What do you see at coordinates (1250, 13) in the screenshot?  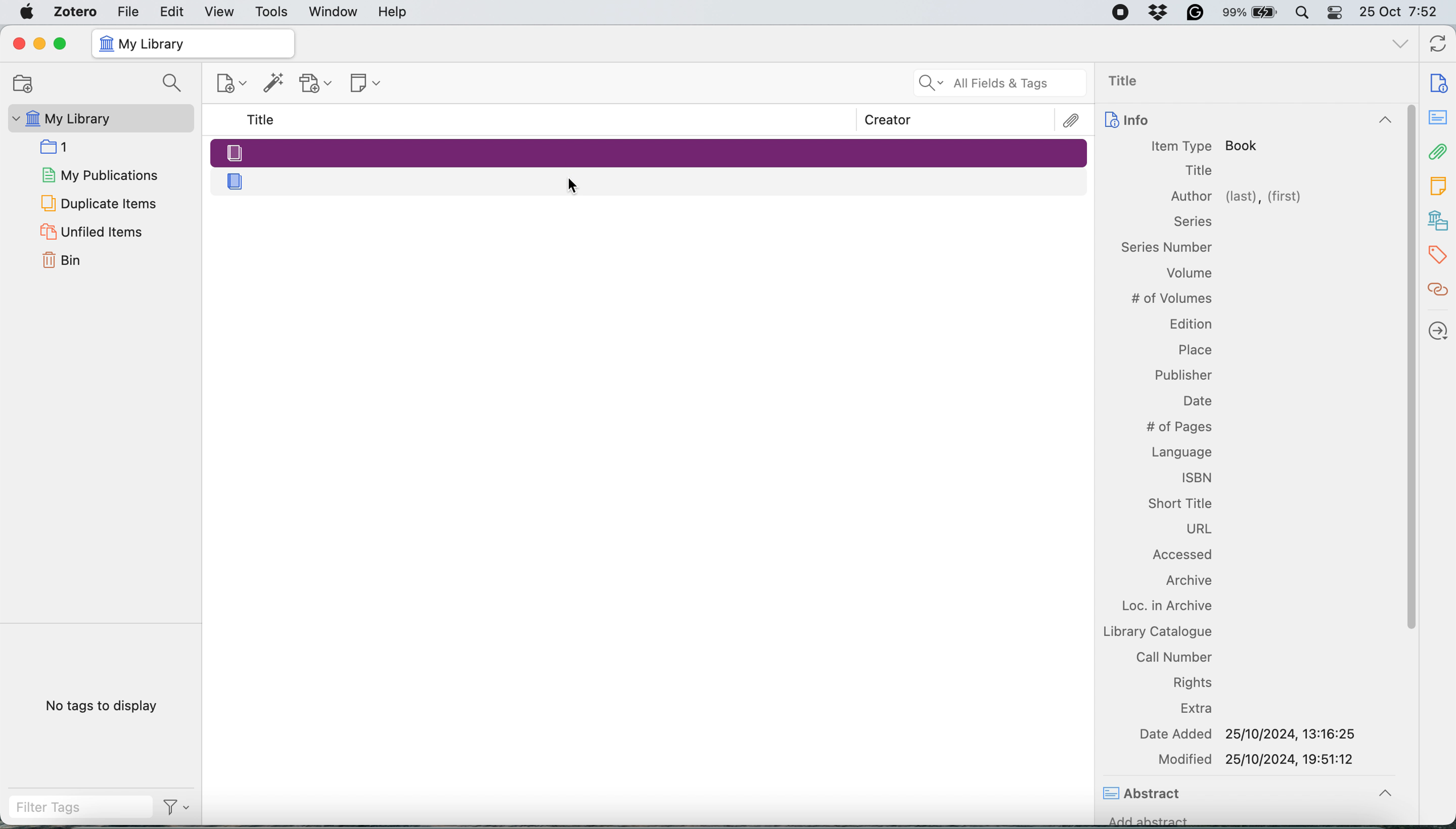 I see `99% Battery` at bounding box center [1250, 13].